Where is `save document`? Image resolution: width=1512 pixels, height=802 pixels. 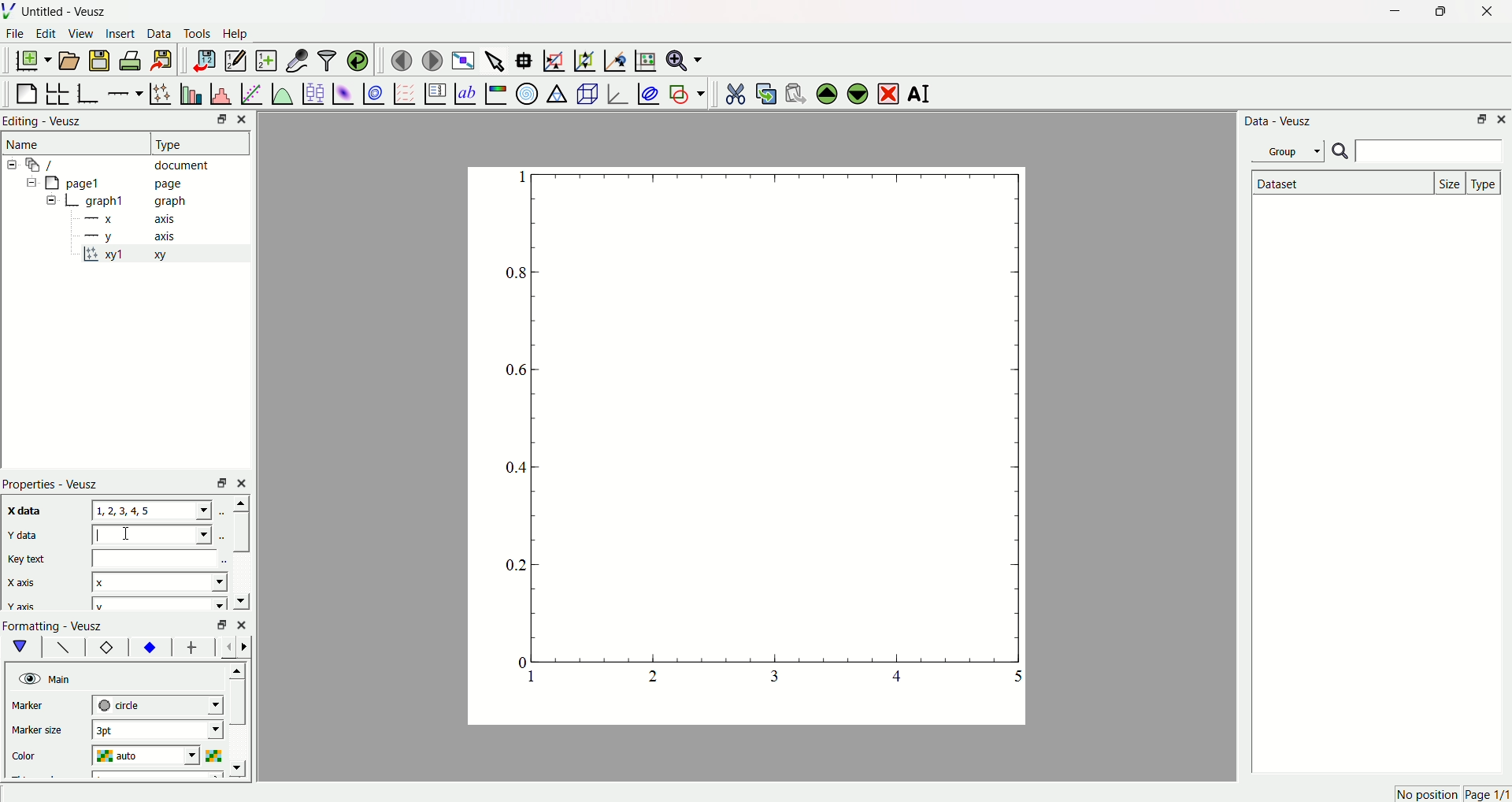
save document is located at coordinates (102, 60).